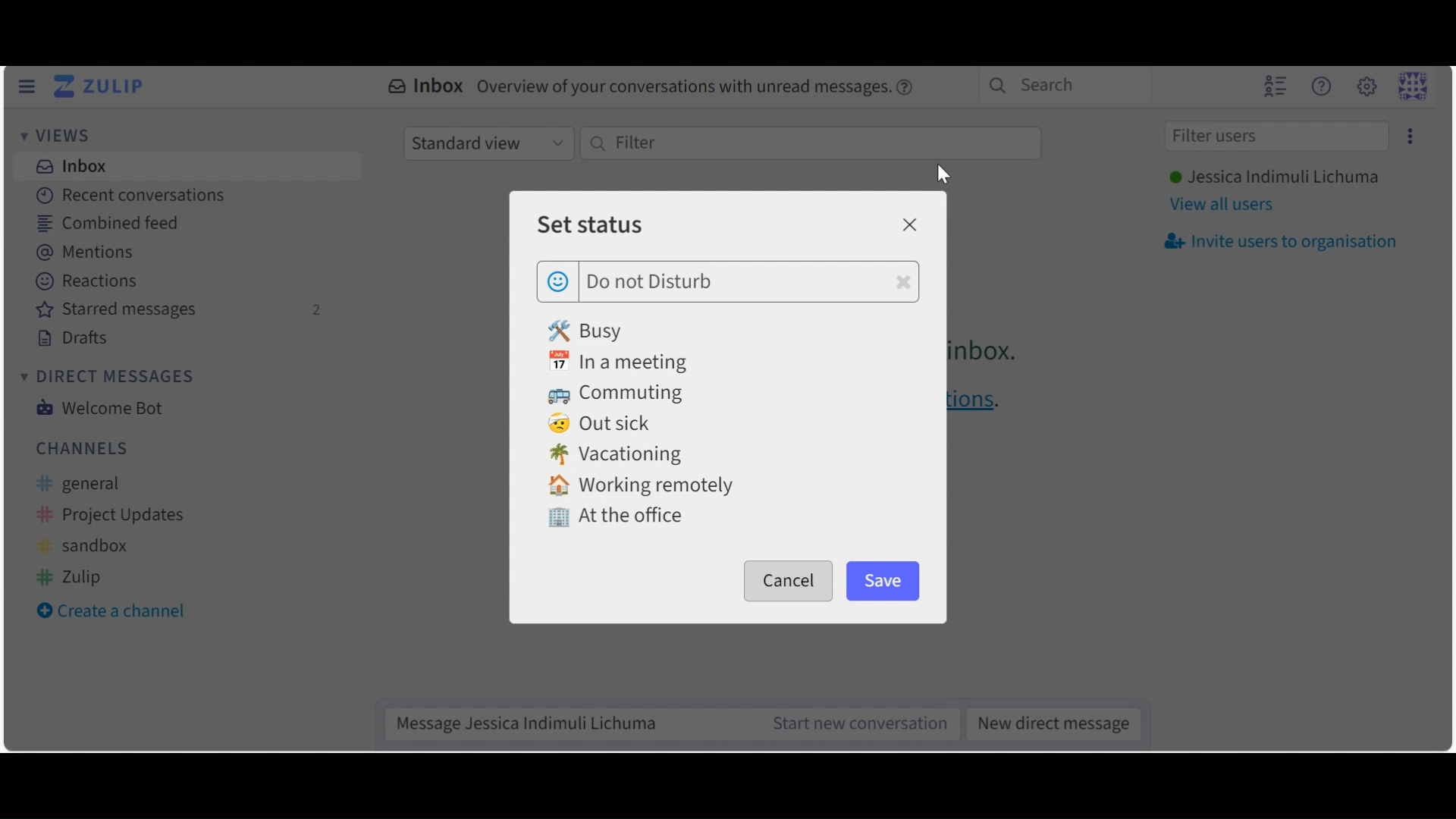 This screenshot has width=1456, height=819. I want to click on Go to Home View (inbox), so click(102, 87).